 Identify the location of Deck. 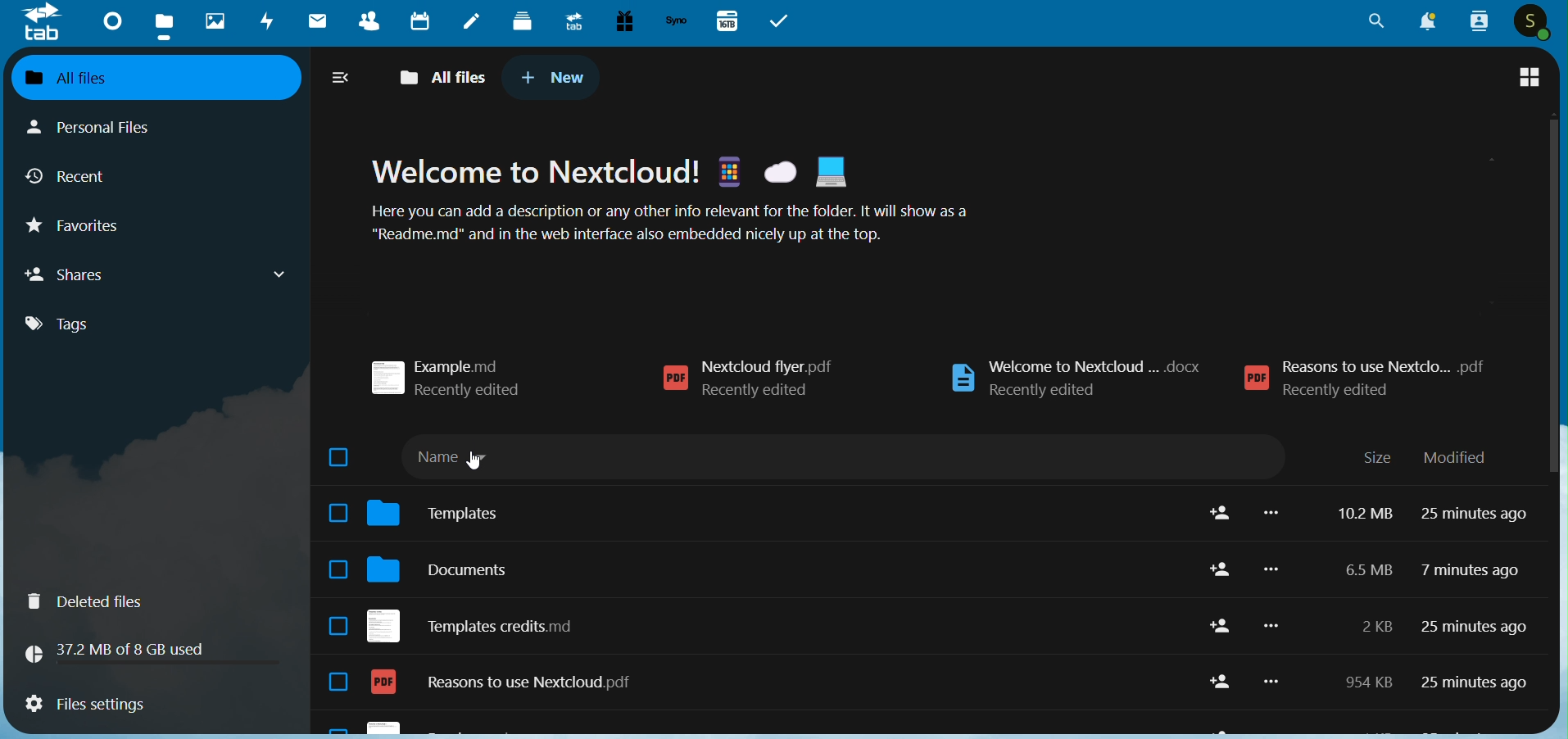
(525, 22).